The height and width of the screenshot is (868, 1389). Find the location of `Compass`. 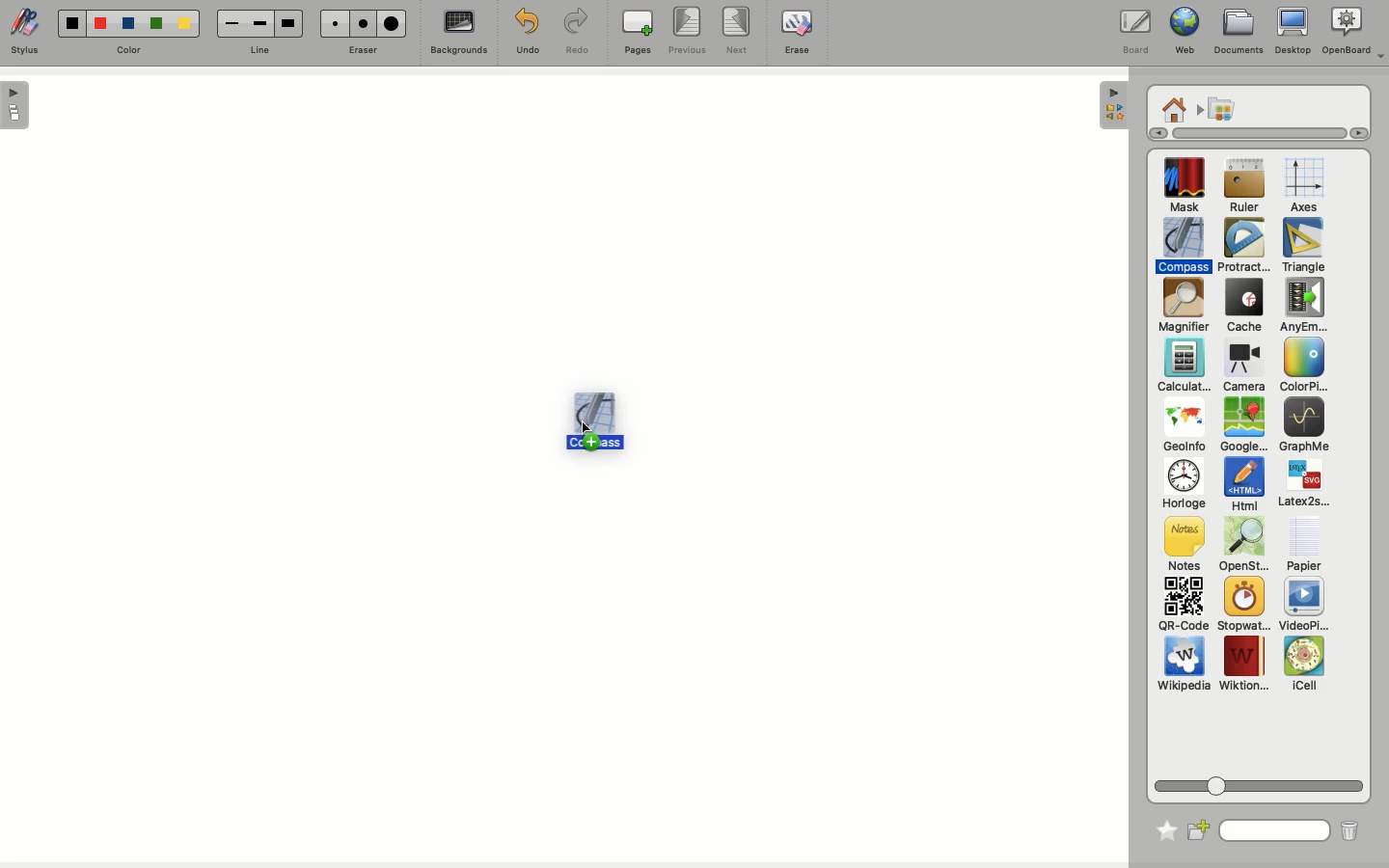

Compass is located at coordinates (1185, 245).